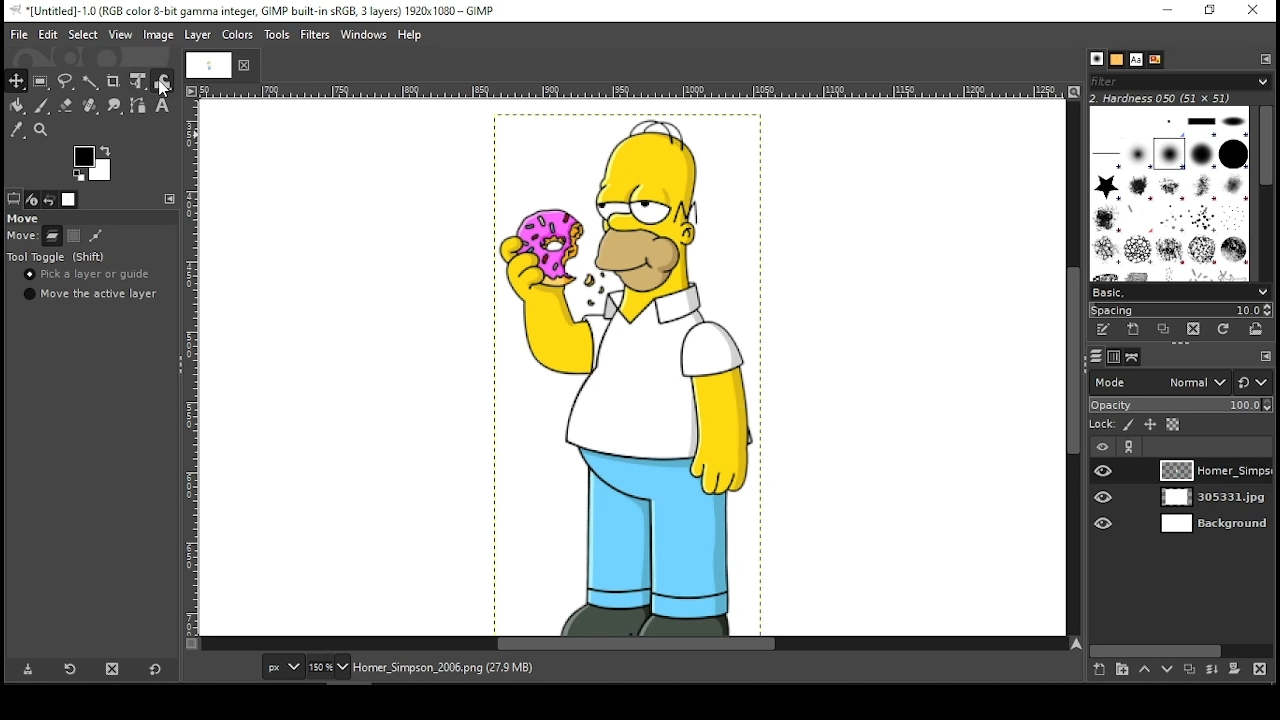 The width and height of the screenshot is (1280, 720). I want to click on smudge tool, so click(115, 105).